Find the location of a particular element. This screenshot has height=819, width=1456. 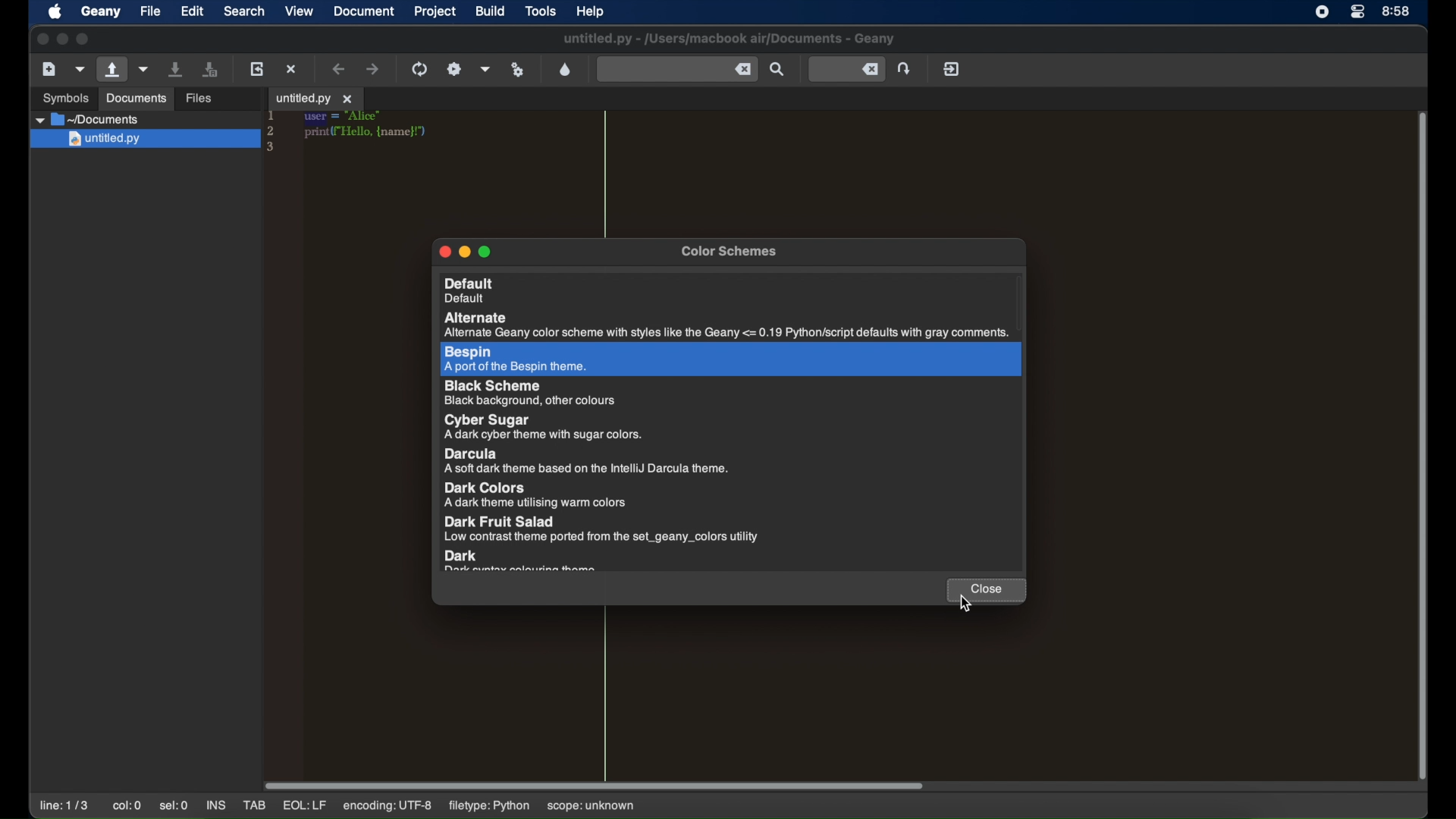

open current file is located at coordinates (145, 69).